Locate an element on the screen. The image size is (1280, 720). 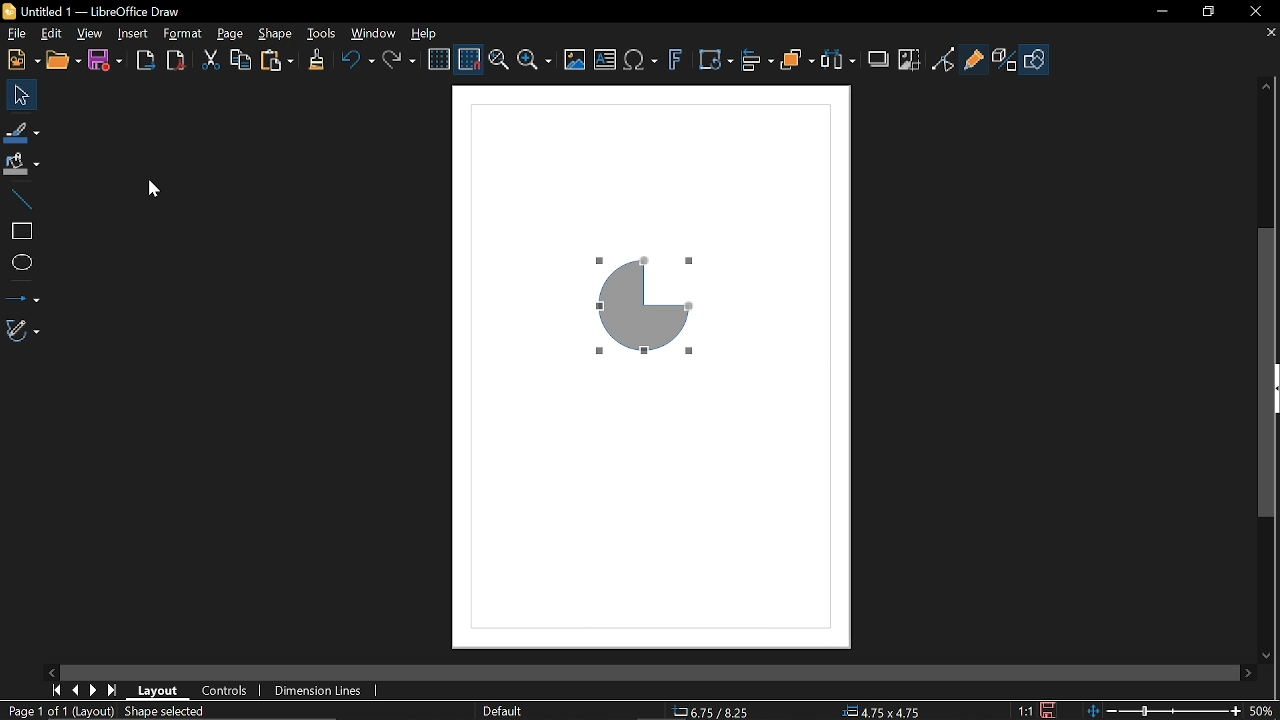
Last page is located at coordinates (115, 689).